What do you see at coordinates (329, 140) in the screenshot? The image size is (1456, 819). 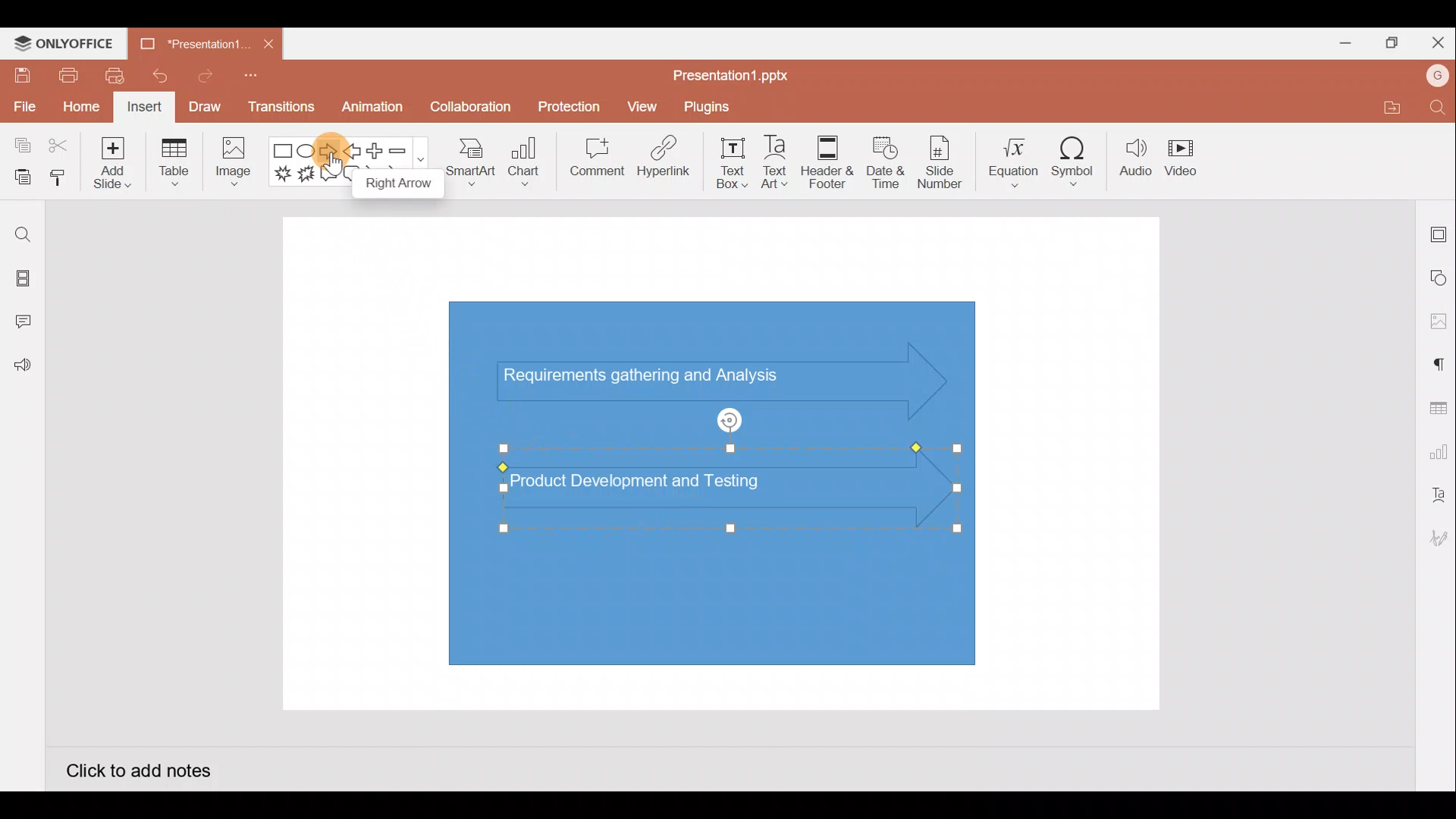 I see `Cursor on right arrow` at bounding box center [329, 140].